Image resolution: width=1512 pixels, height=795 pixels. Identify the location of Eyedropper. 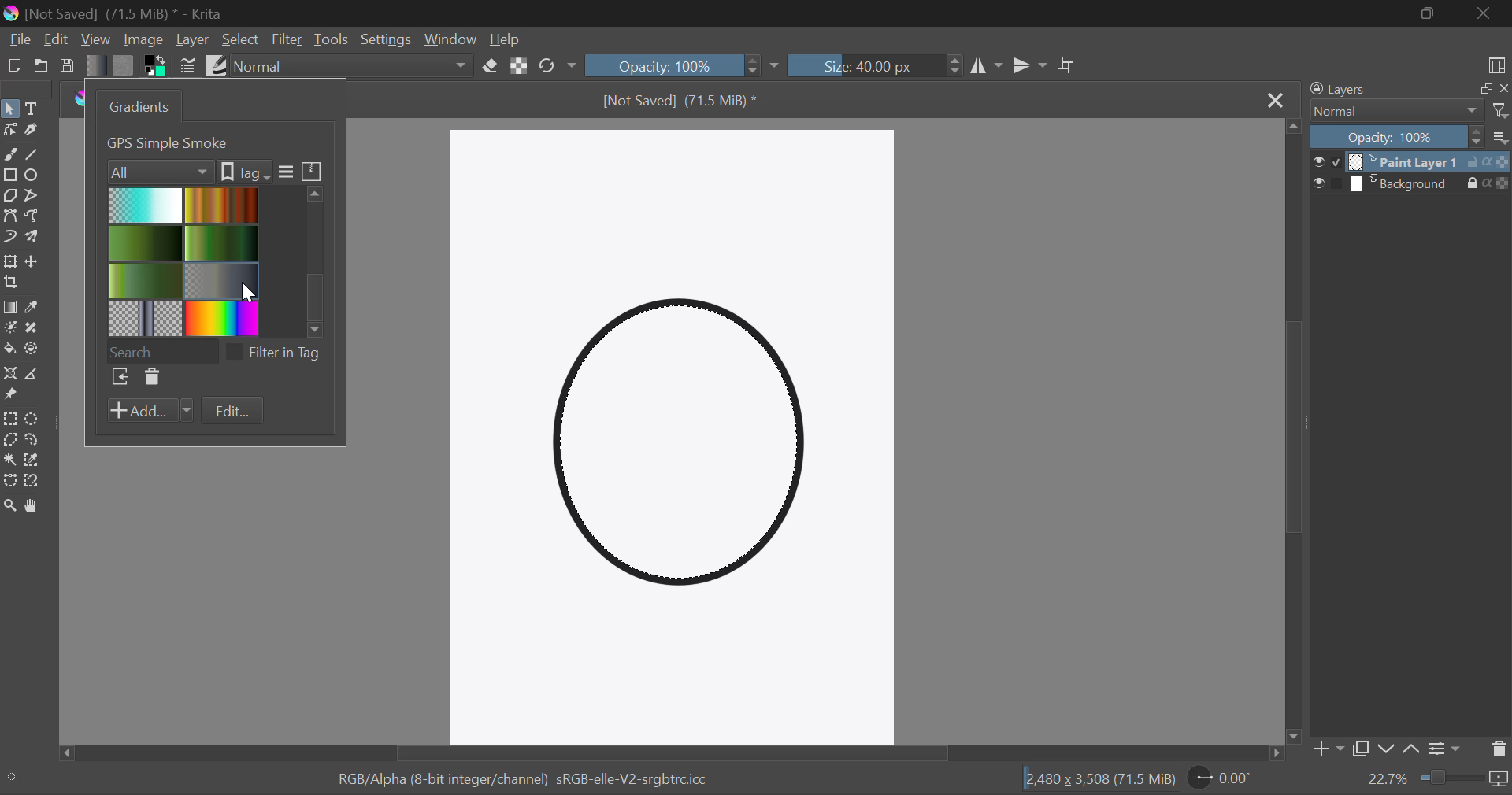
(36, 307).